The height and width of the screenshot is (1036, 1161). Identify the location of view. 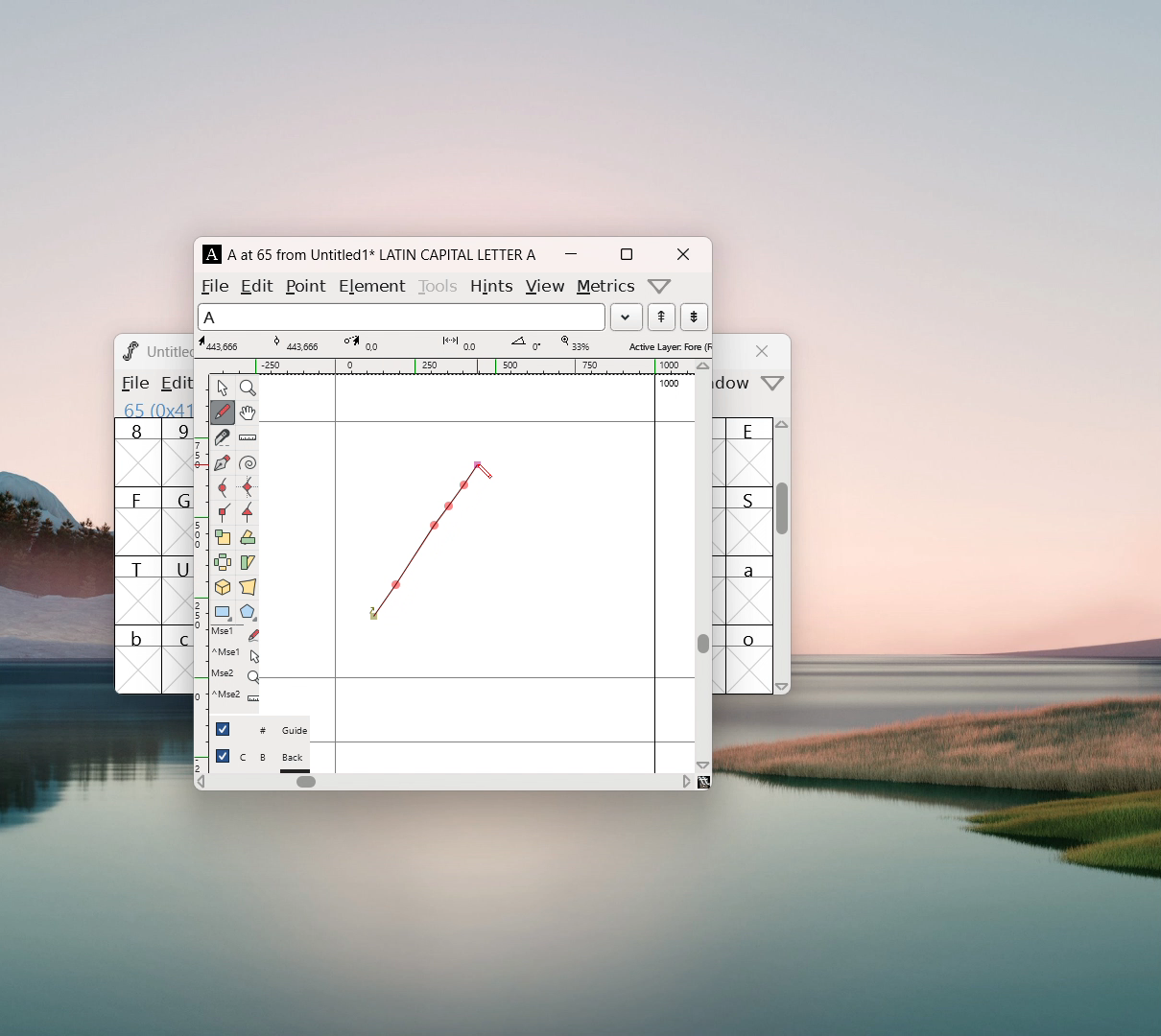
(544, 287).